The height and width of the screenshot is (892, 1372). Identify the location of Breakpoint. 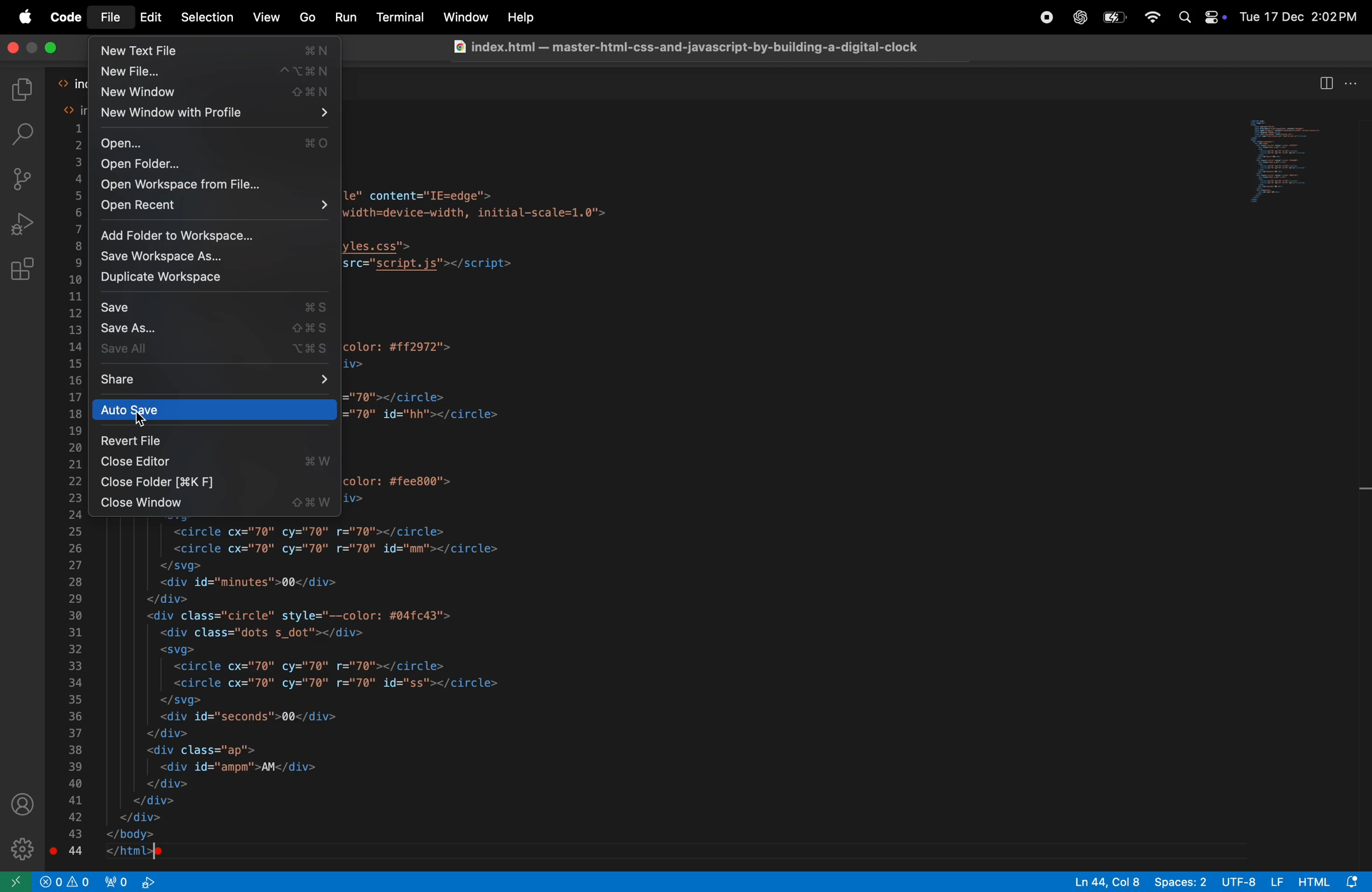
(52, 848).